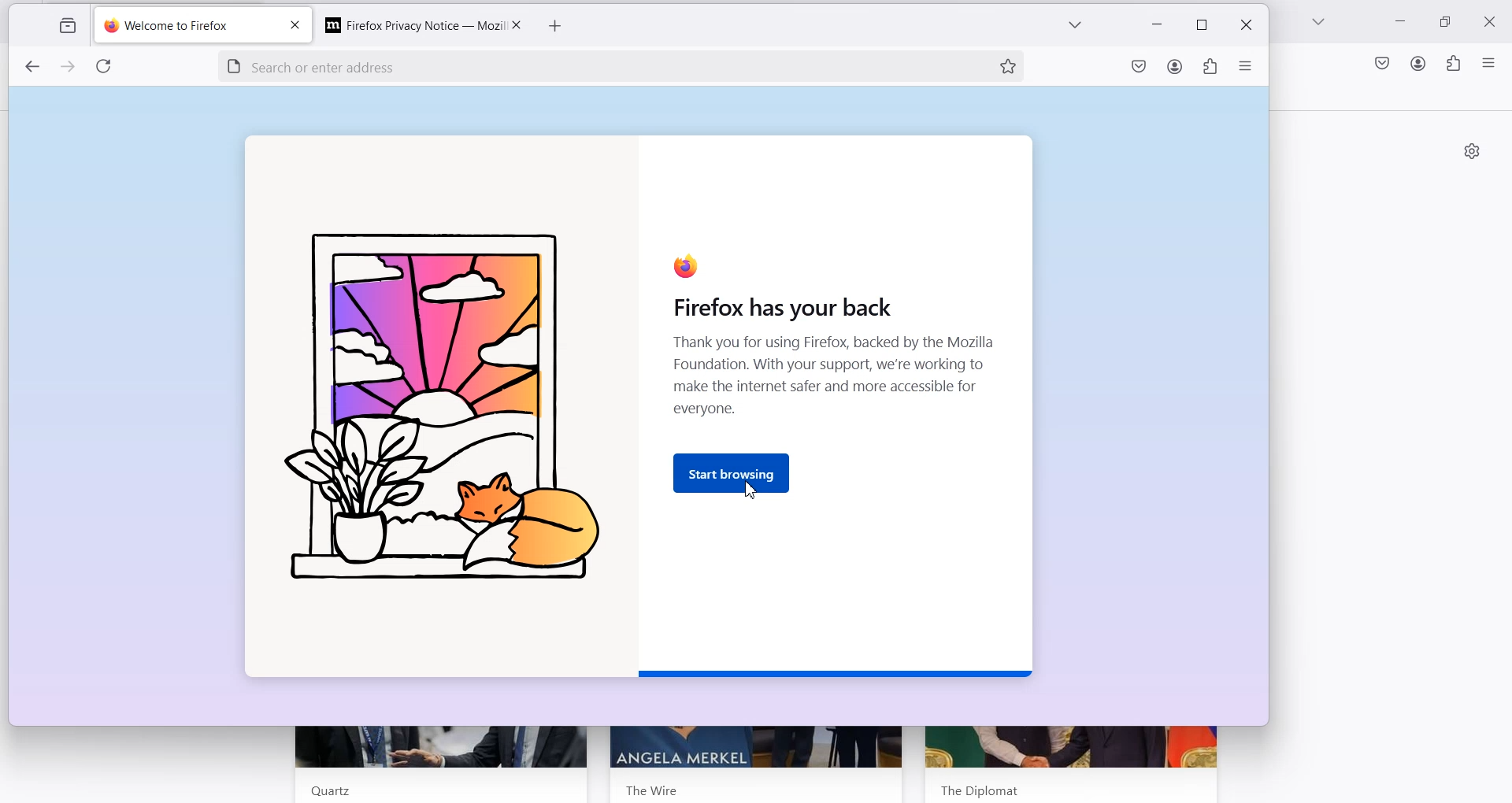  Describe the element at coordinates (1319, 23) in the screenshot. I see `List all tab` at that location.